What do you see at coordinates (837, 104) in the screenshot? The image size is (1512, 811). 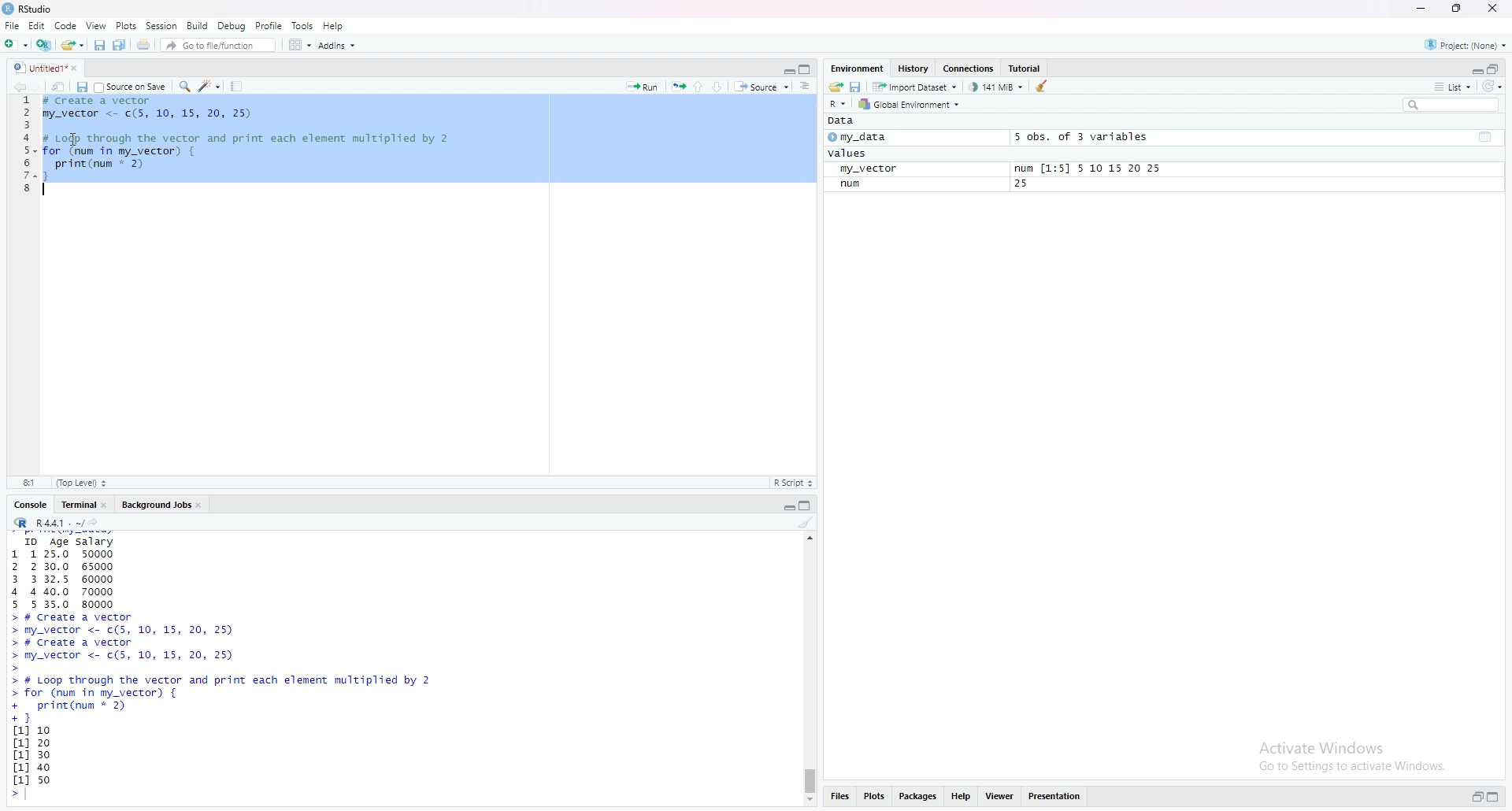 I see `R` at bounding box center [837, 104].